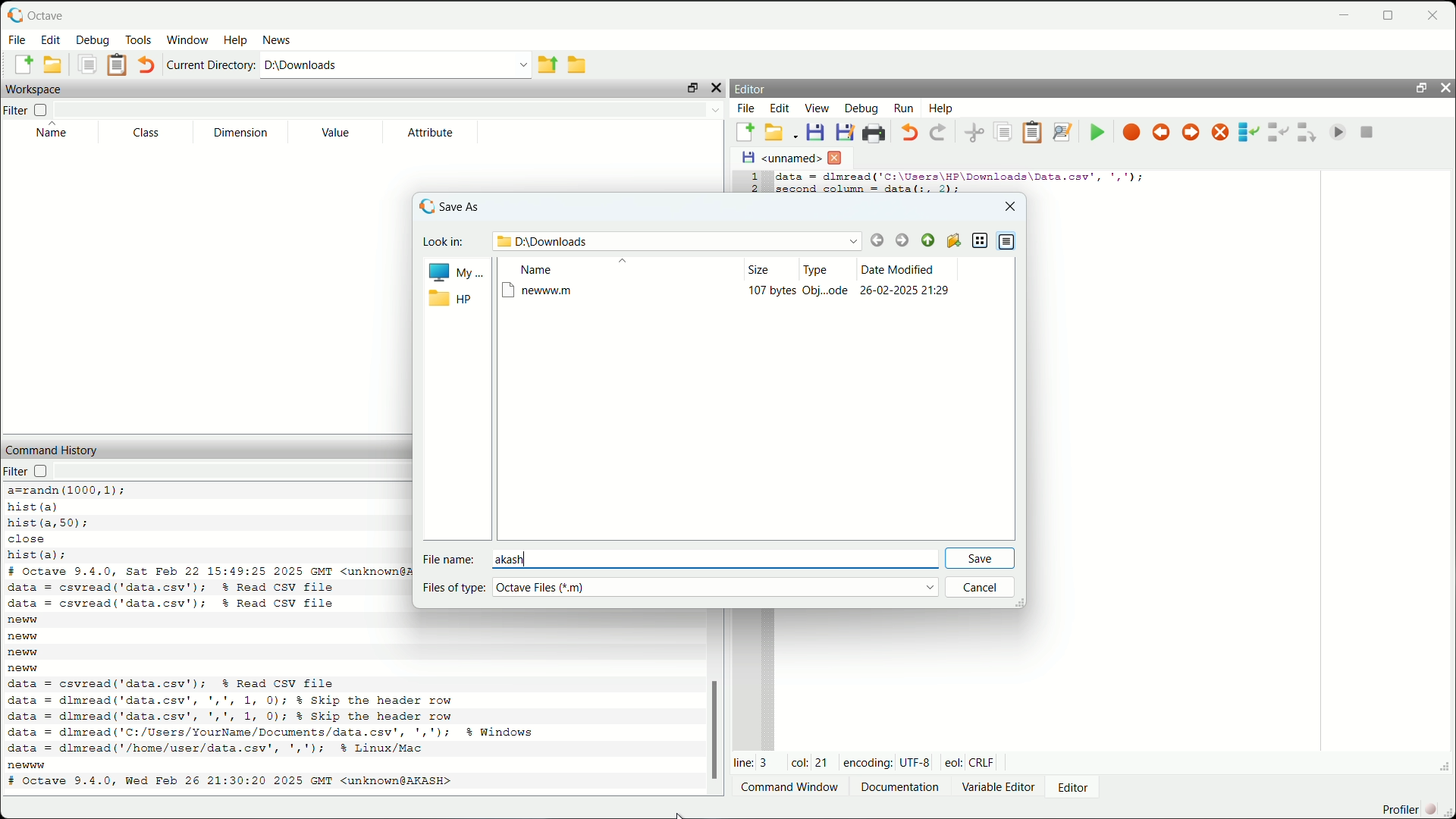 Image resolution: width=1456 pixels, height=819 pixels. What do you see at coordinates (908, 135) in the screenshot?
I see `undo` at bounding box center [908, 135].